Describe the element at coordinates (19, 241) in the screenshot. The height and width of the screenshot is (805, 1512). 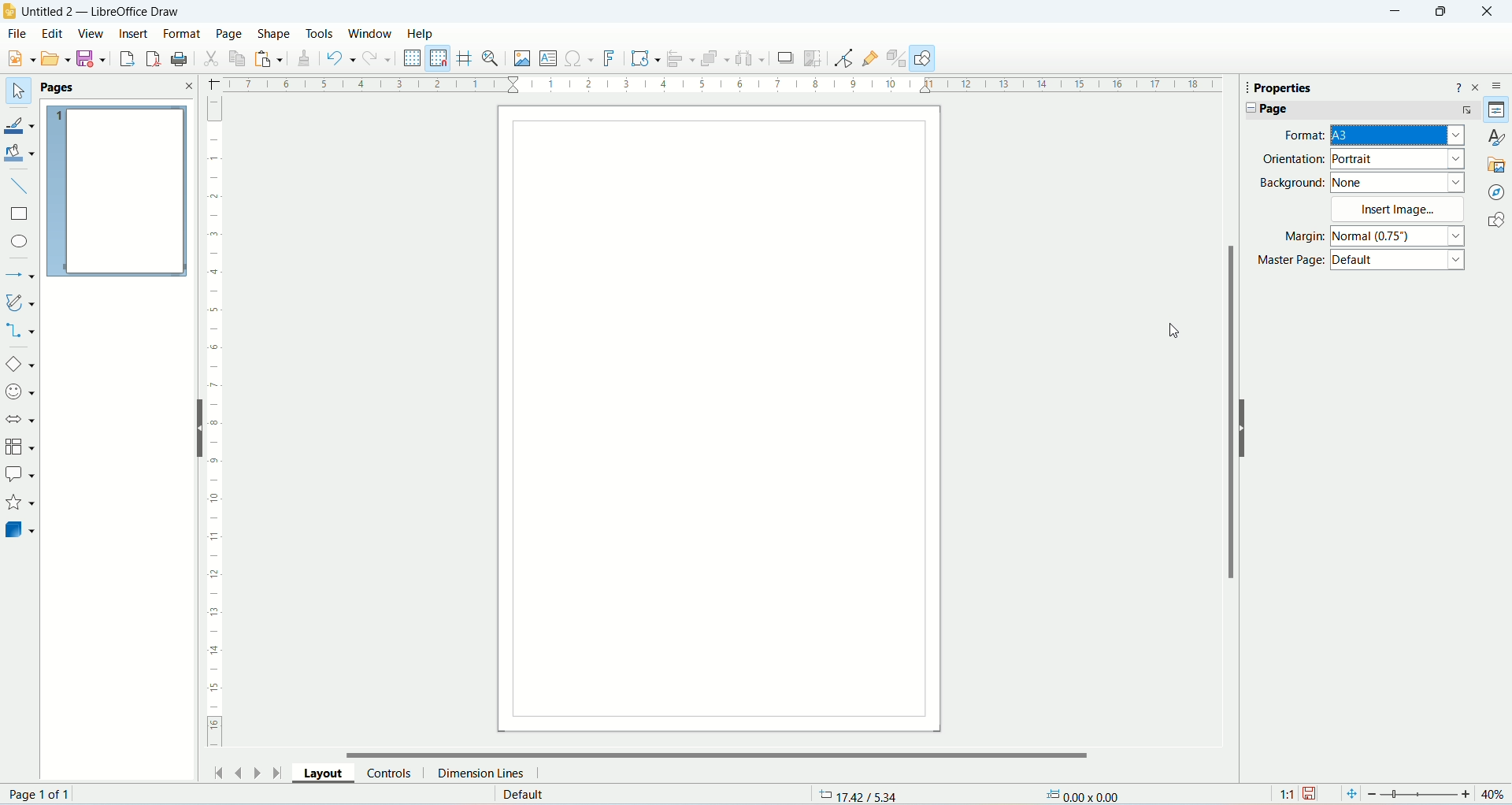
I see `ellipse` at that location.